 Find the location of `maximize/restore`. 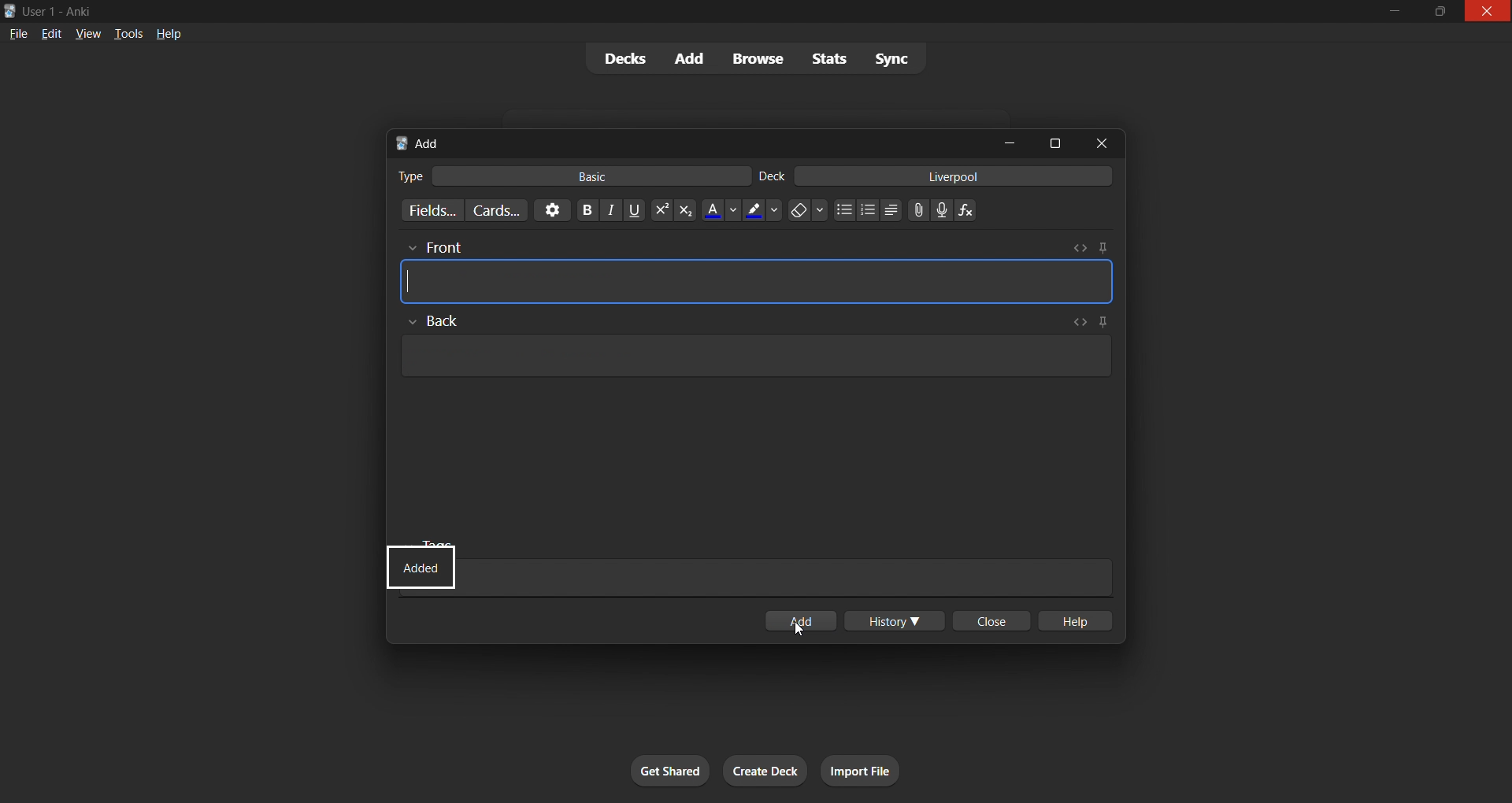

maximize/restore is located at coordinates (1436, 12).